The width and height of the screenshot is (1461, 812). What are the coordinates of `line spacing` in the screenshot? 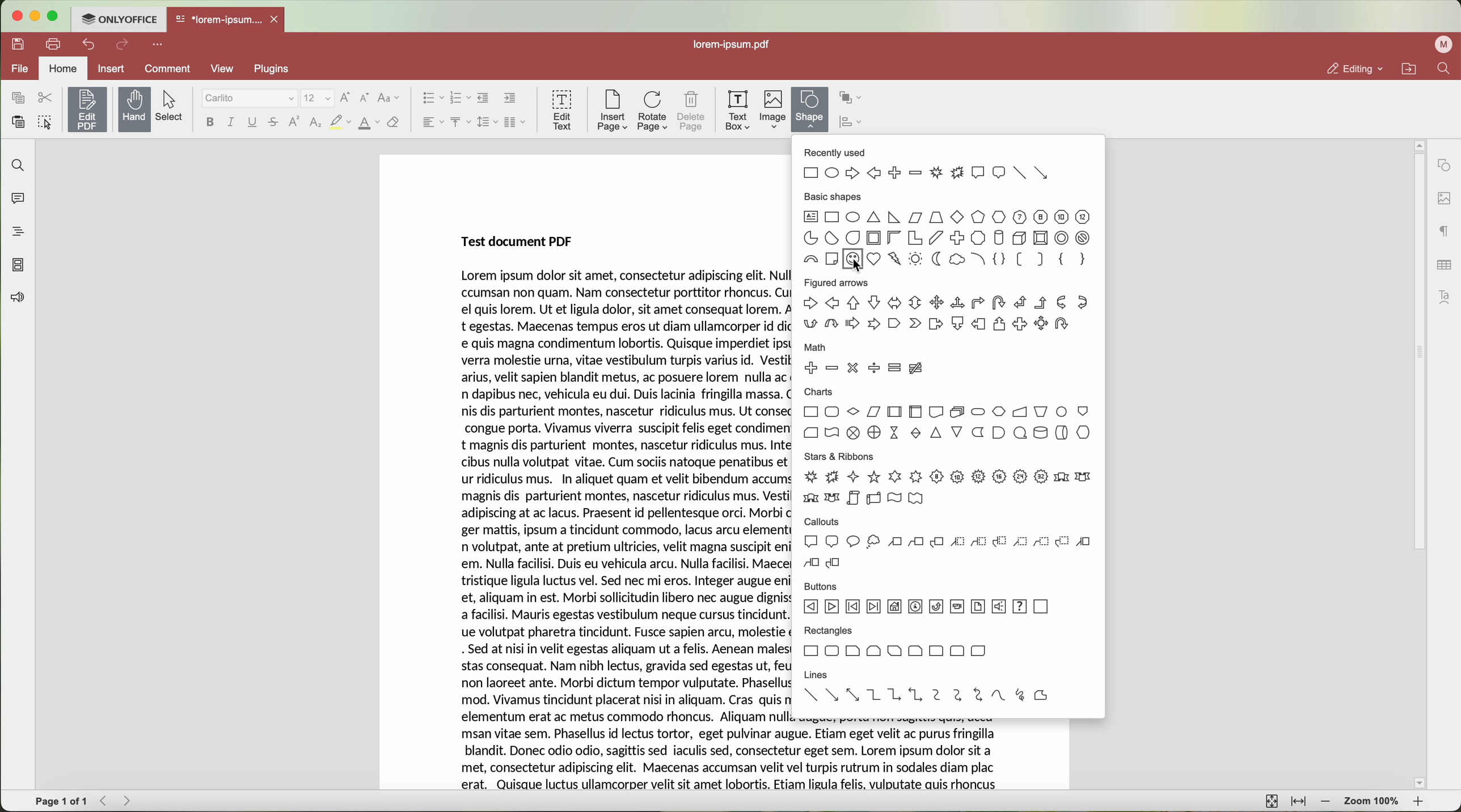 It's located at (485, 122).